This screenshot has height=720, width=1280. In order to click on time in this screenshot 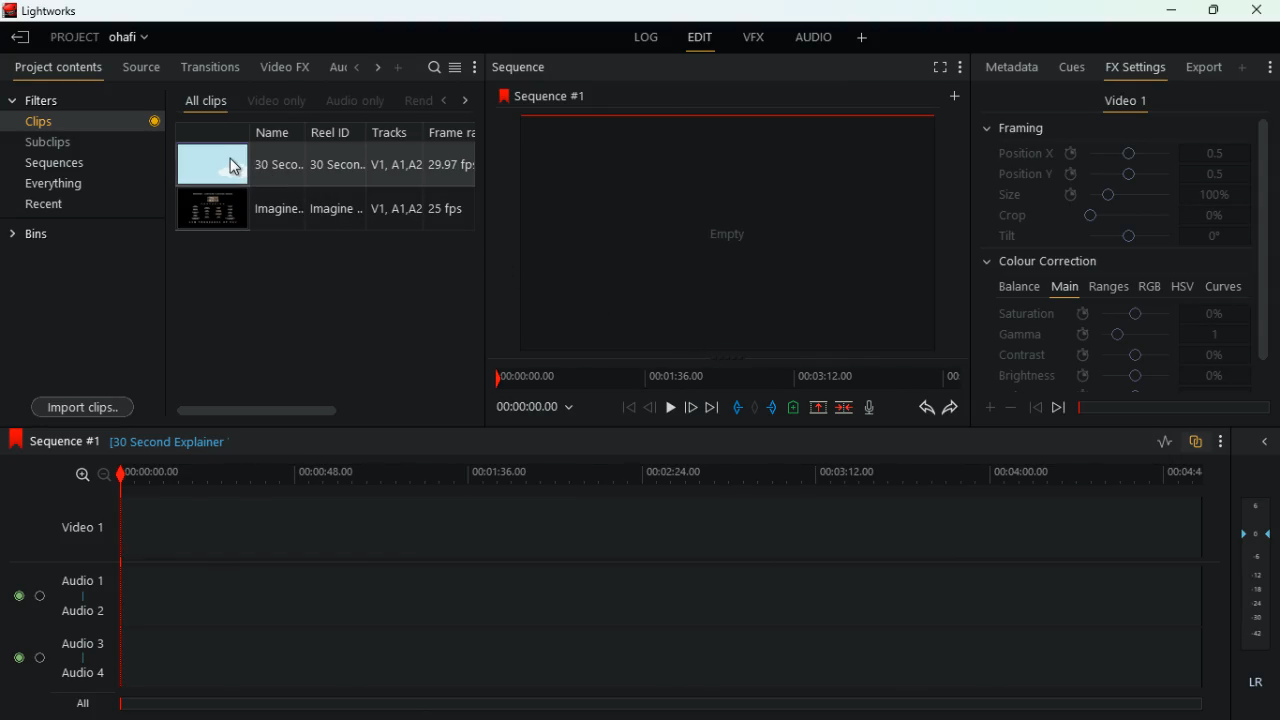, I will do `click(660, 474)`.